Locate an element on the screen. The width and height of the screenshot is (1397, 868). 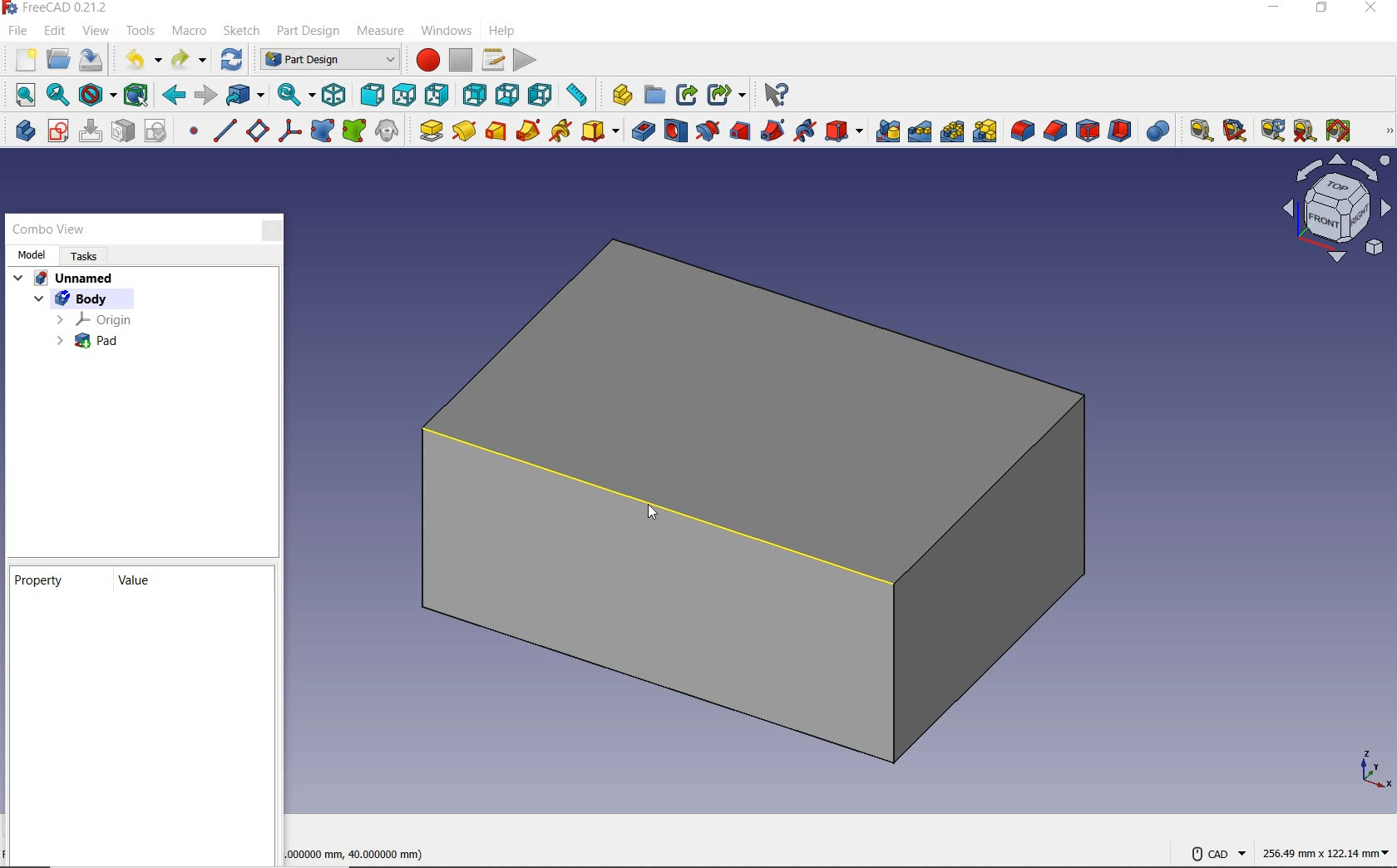
execute macro is located at coordinates (526, 60).